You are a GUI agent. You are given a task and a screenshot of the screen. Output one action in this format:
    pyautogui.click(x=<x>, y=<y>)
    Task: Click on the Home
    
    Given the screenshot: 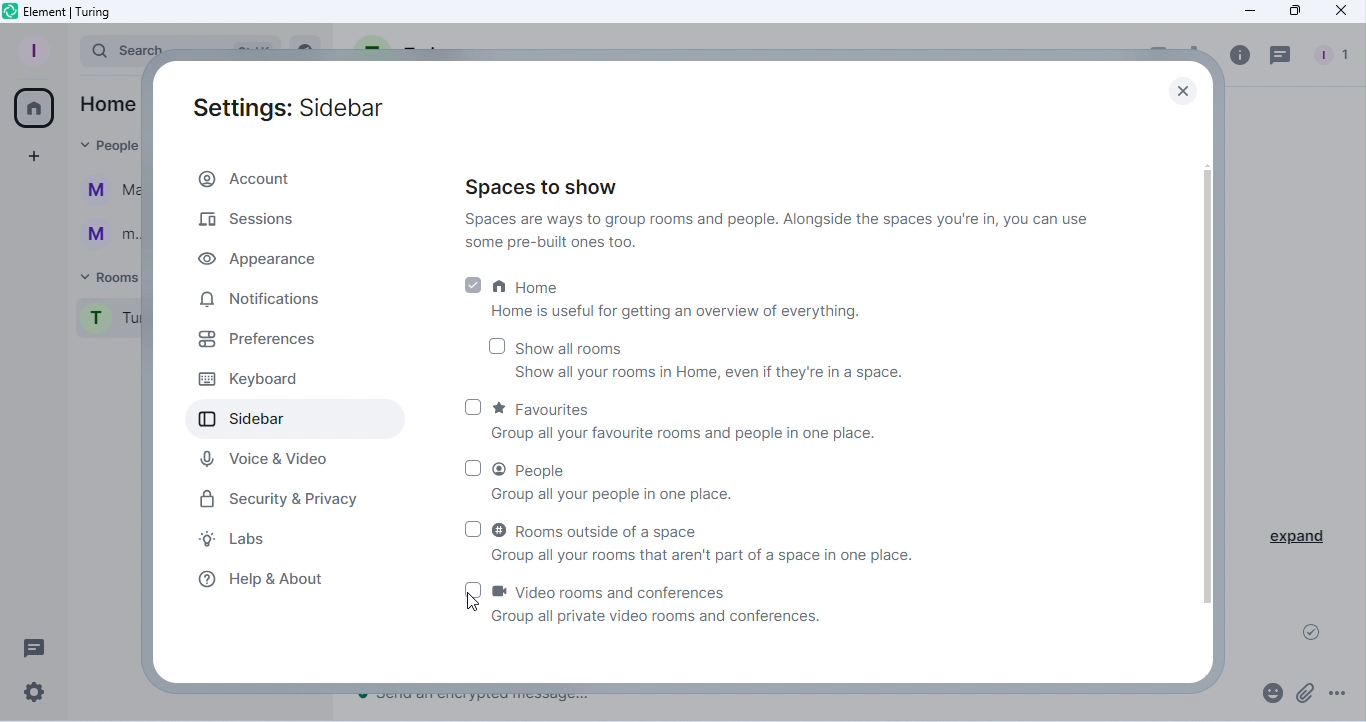 What is the action you would take?
    pyautogui.click(x=31, y=107)
    